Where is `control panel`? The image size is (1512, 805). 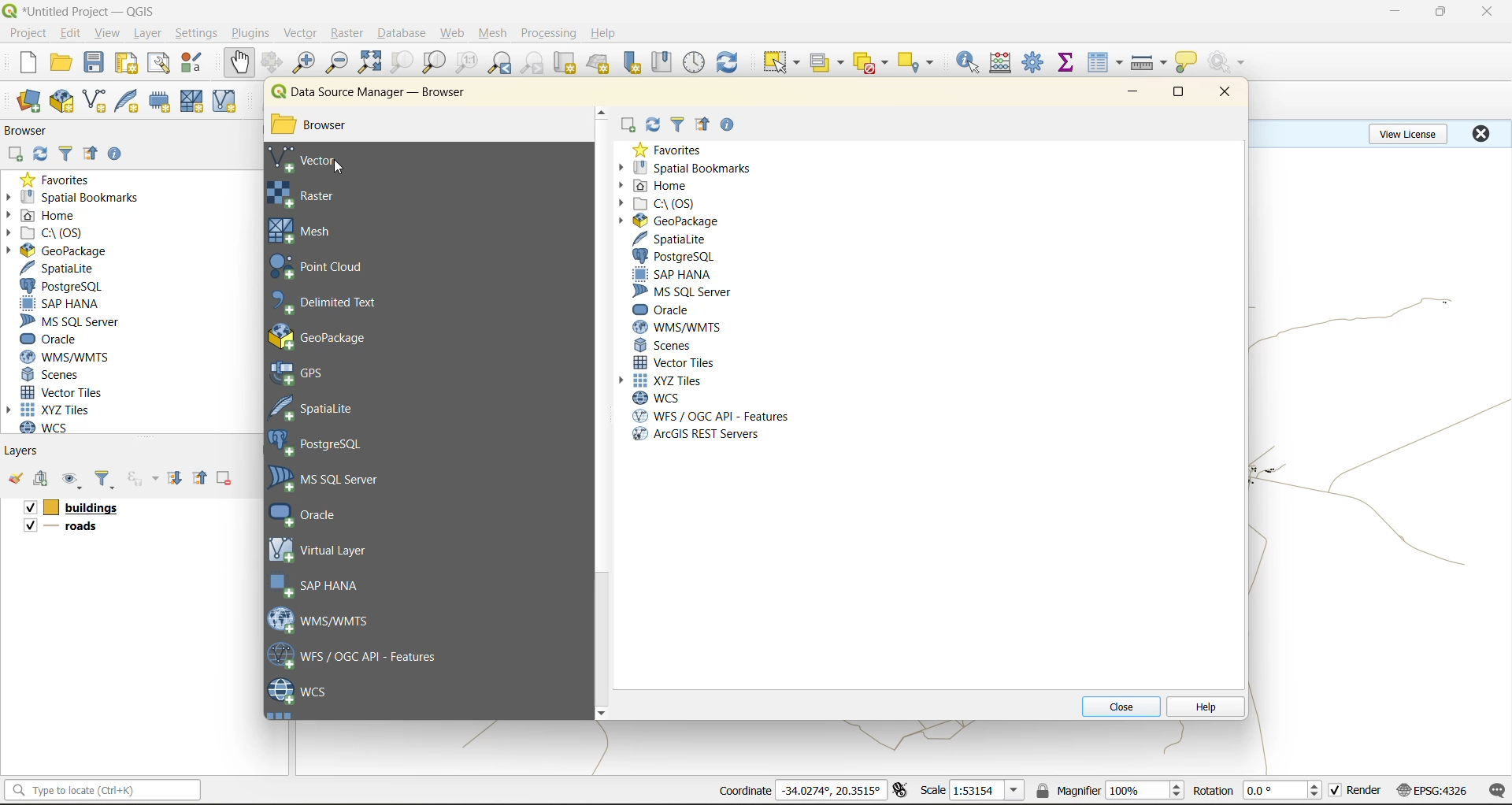
control panel is located at coordinates (695, 63).